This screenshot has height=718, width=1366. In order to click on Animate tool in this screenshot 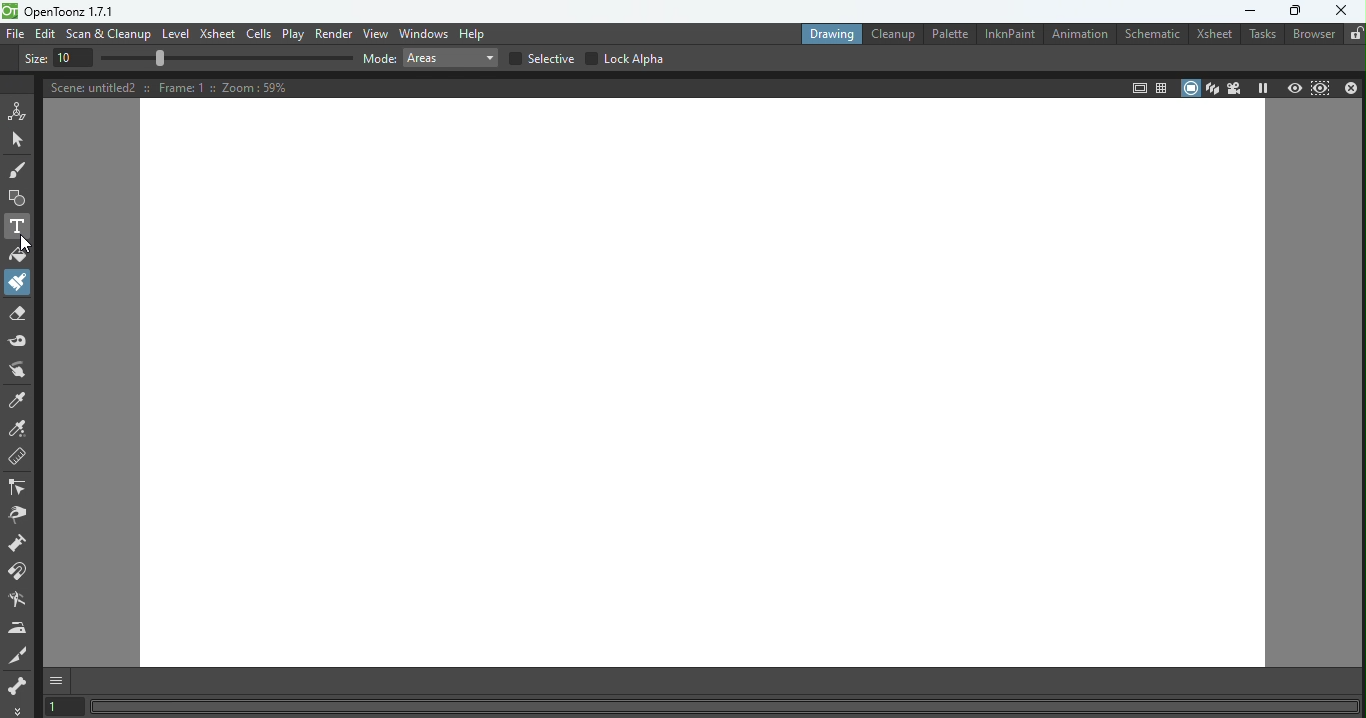, I will do `click(18, 111)`.